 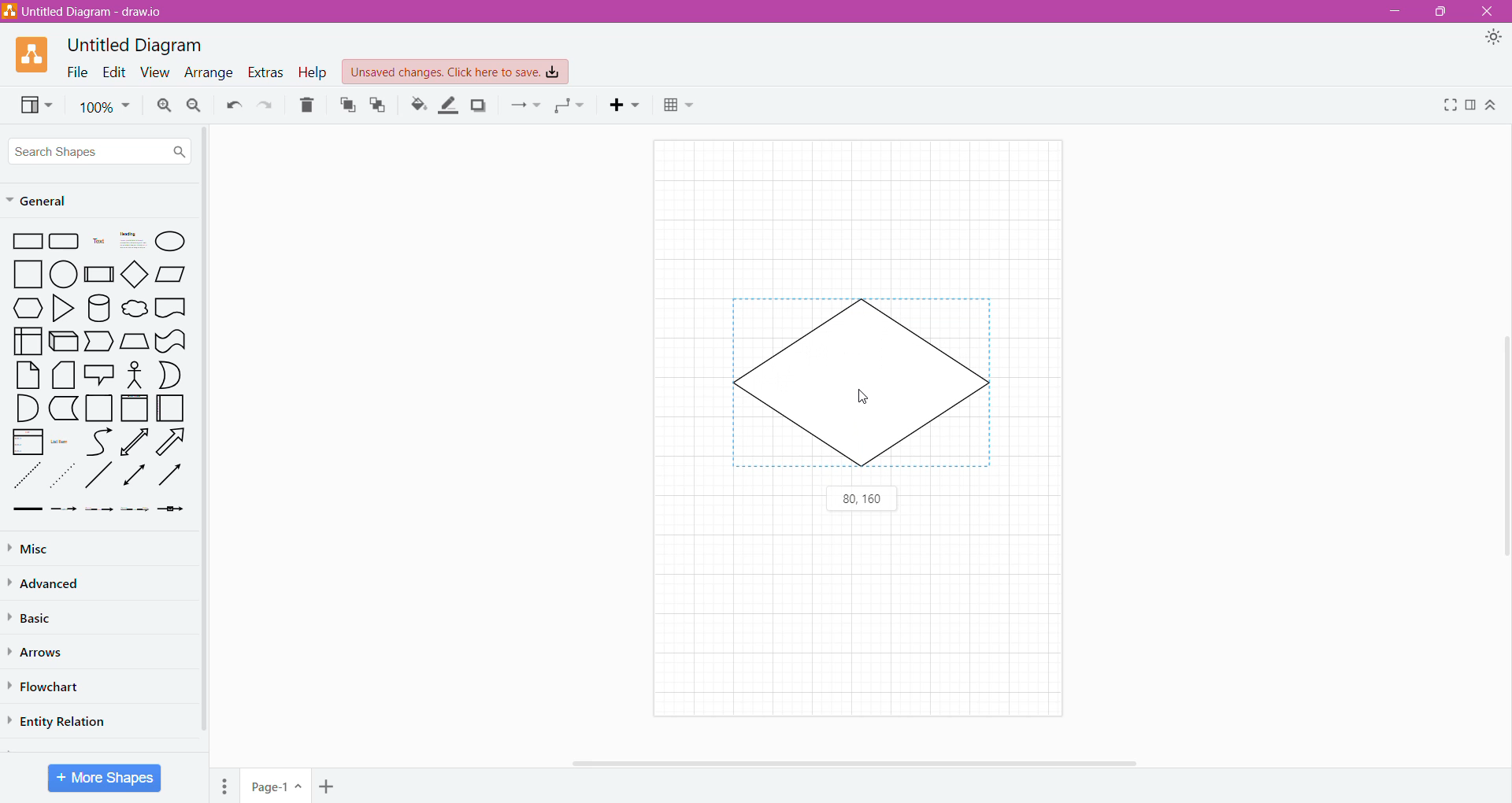 What do you see at coordinates (28, 274) in the screenshot?
I see `Square` at bounding box center [28, 274].